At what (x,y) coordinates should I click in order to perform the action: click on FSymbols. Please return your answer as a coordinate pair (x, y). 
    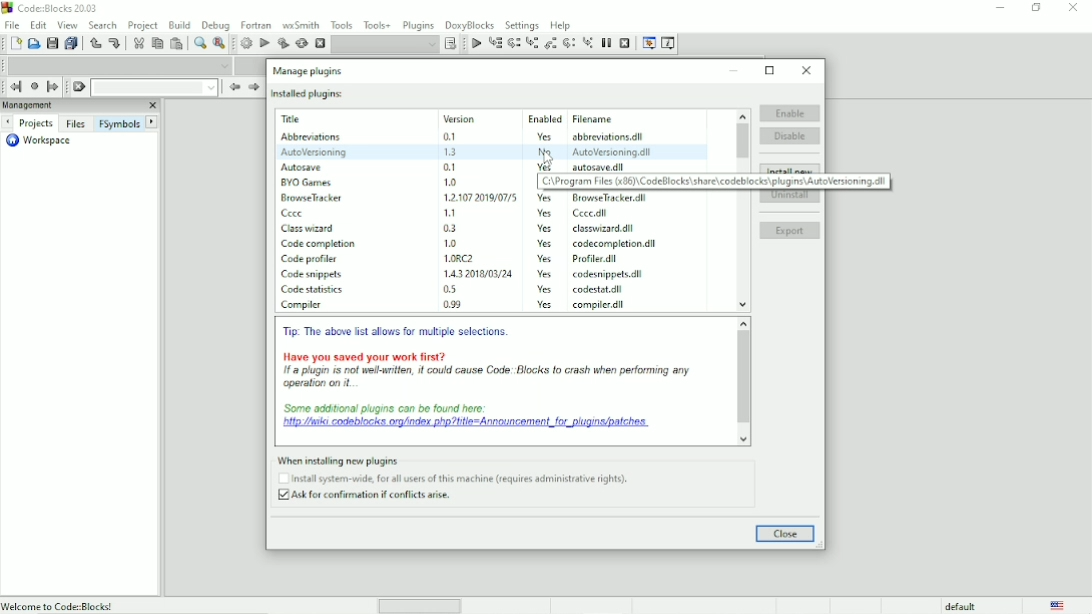
    Looking at the image, I should click on (120, 123).